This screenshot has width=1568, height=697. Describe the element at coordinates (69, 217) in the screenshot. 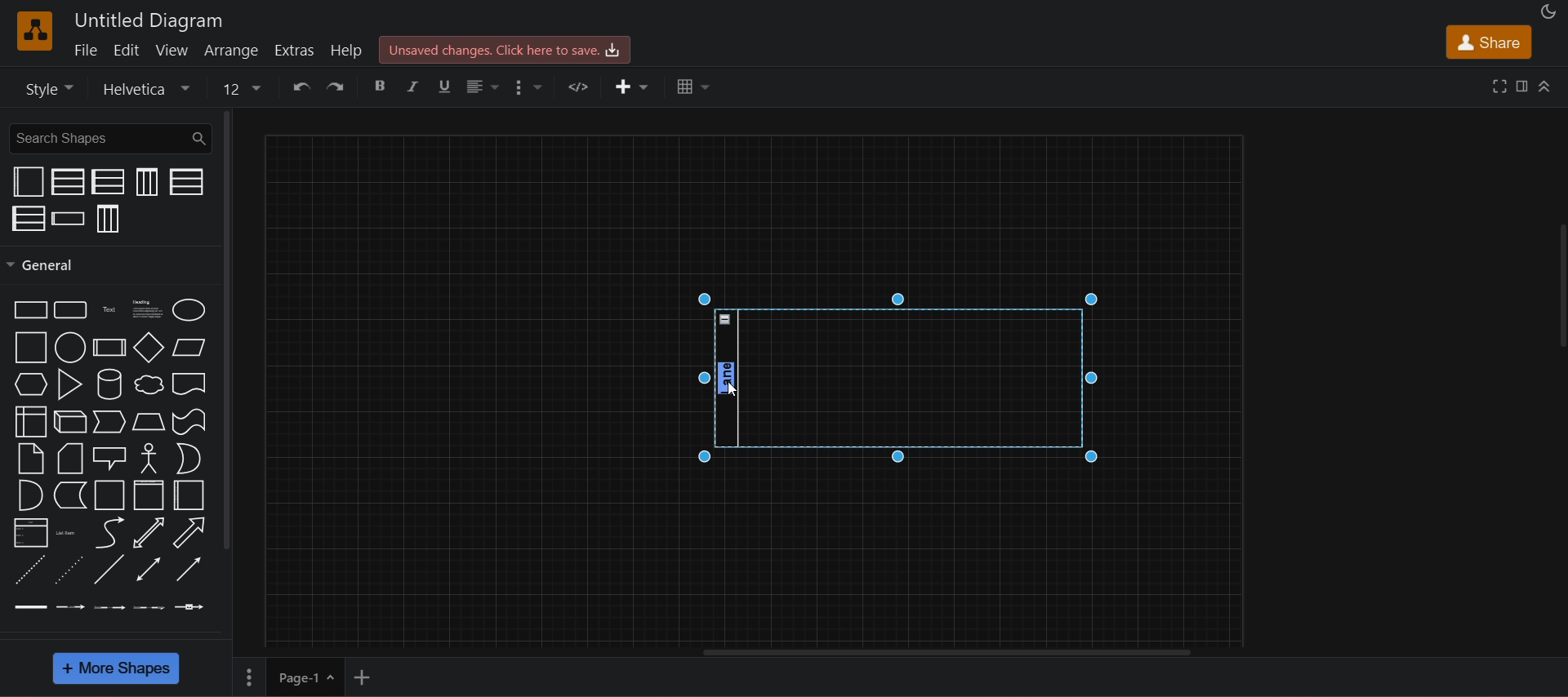

I see `horizontal swim lane` at that location.